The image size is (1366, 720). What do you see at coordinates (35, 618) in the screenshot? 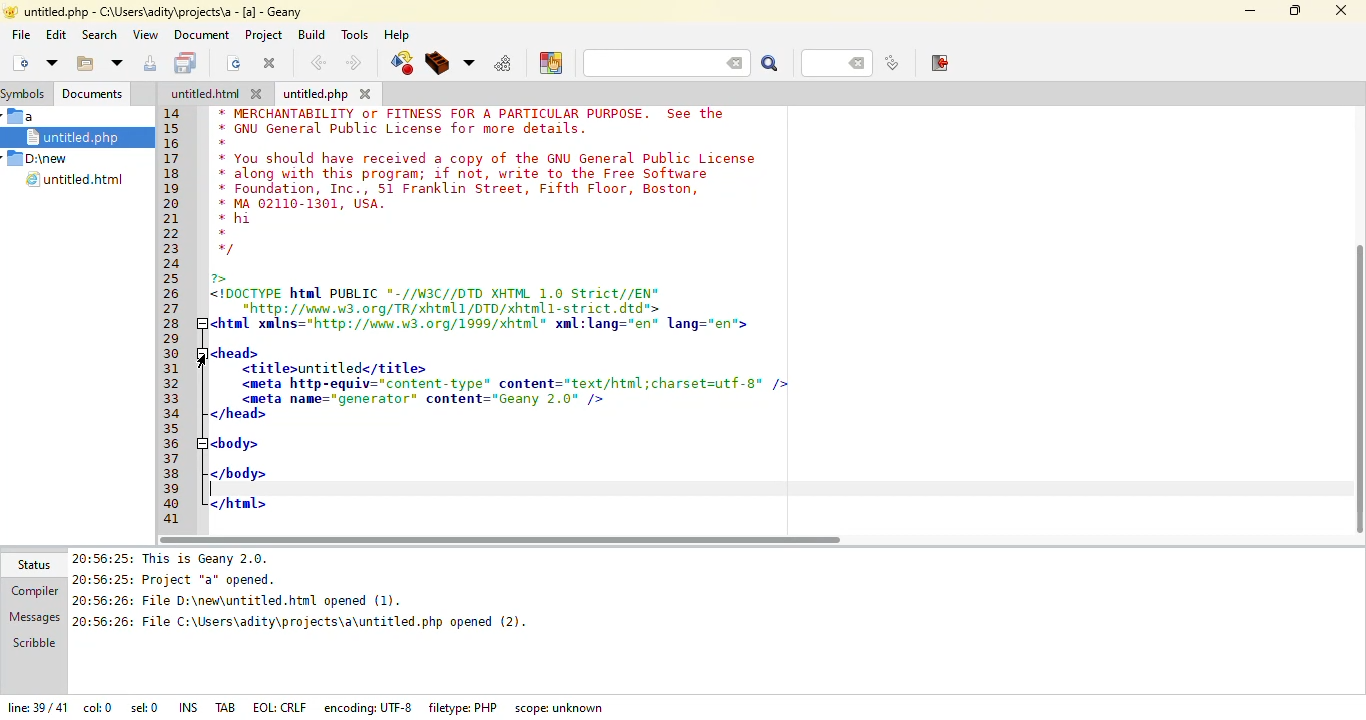
I see `messages` at bounding box center [35, 618].